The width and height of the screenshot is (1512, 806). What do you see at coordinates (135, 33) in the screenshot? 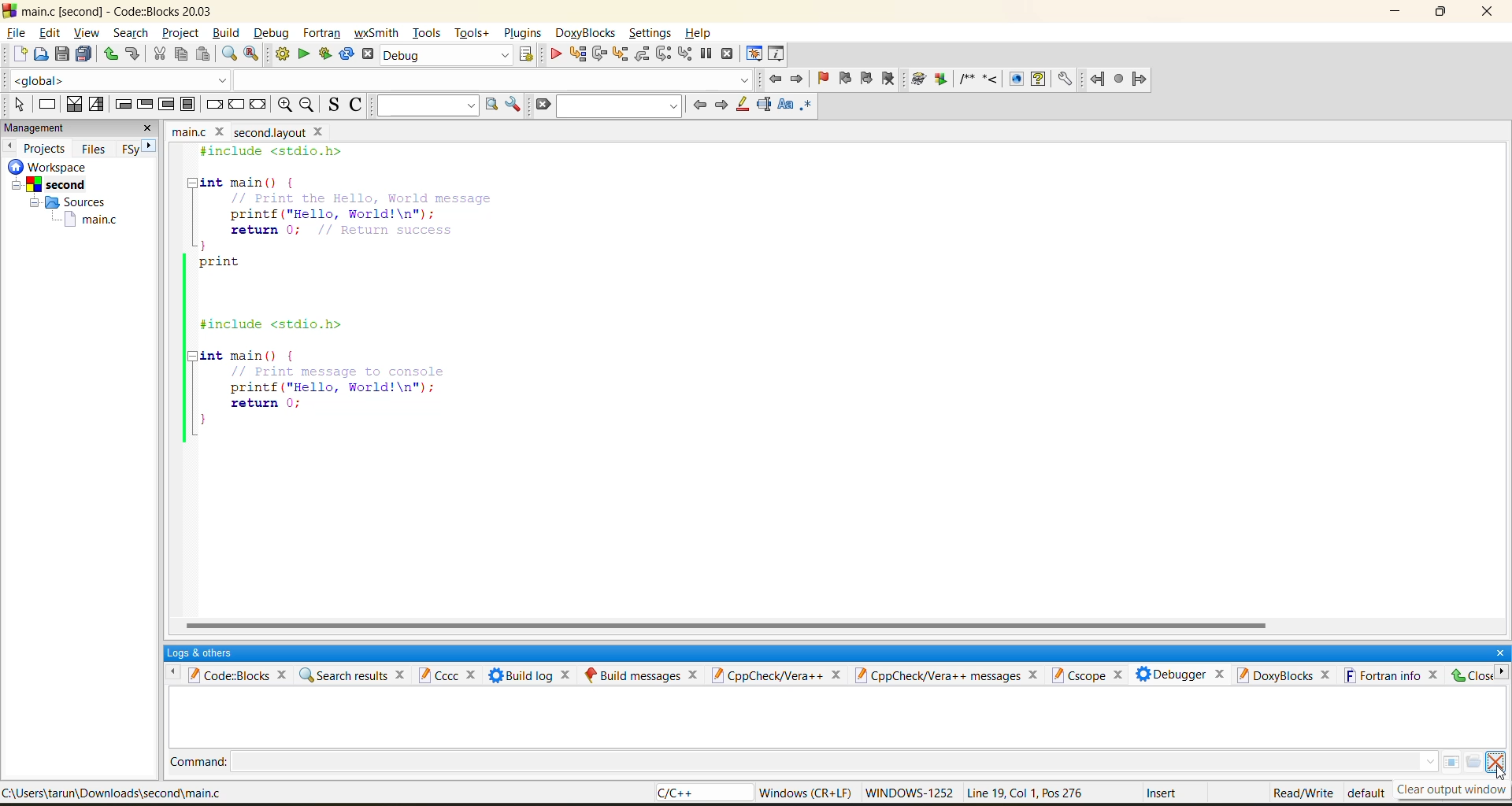
I see `search` at bounding box center [135, 33].